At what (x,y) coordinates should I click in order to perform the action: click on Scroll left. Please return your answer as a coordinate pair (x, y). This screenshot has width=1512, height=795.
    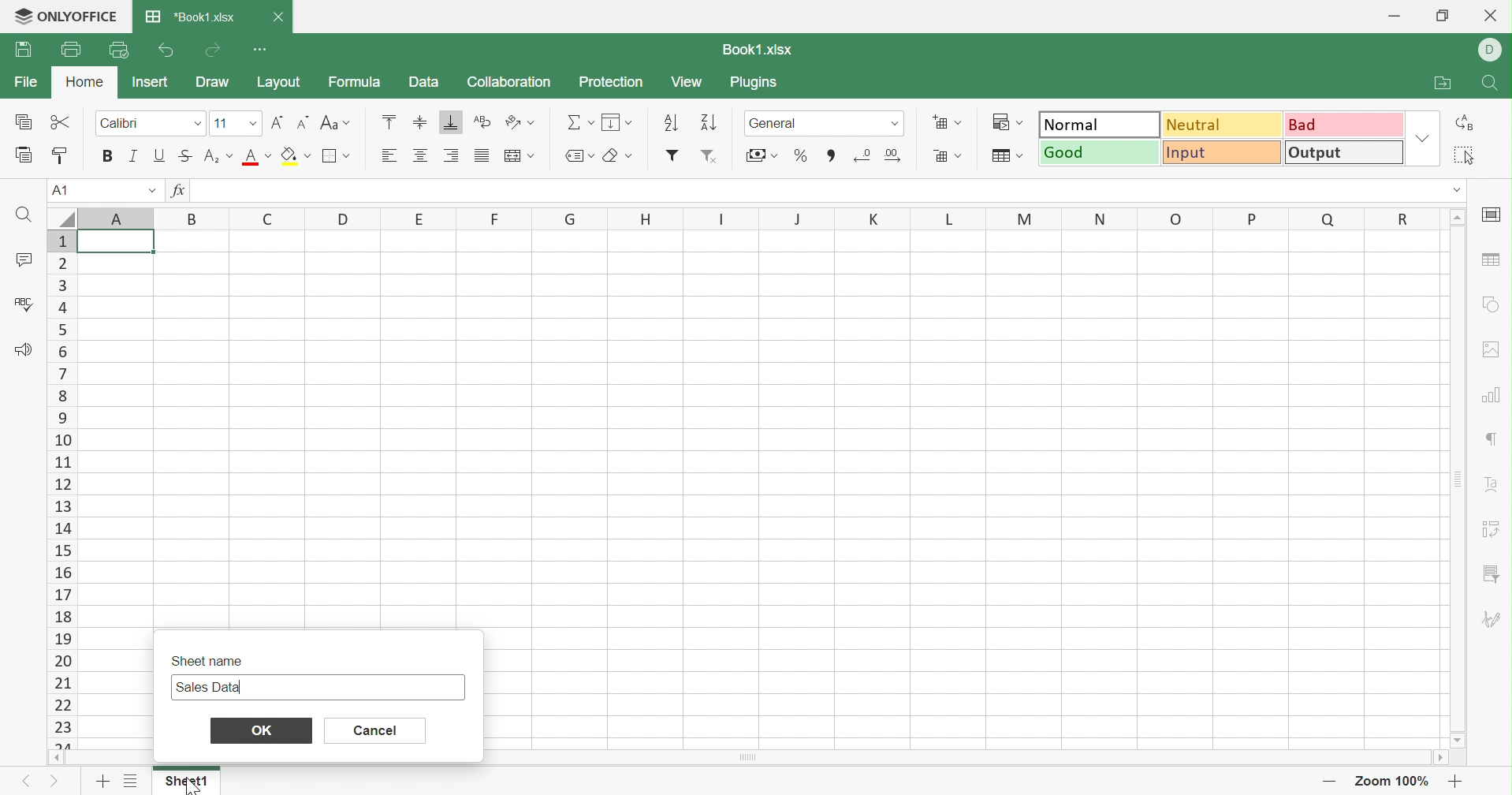
    Looking at the image, I should click on (61, 758).